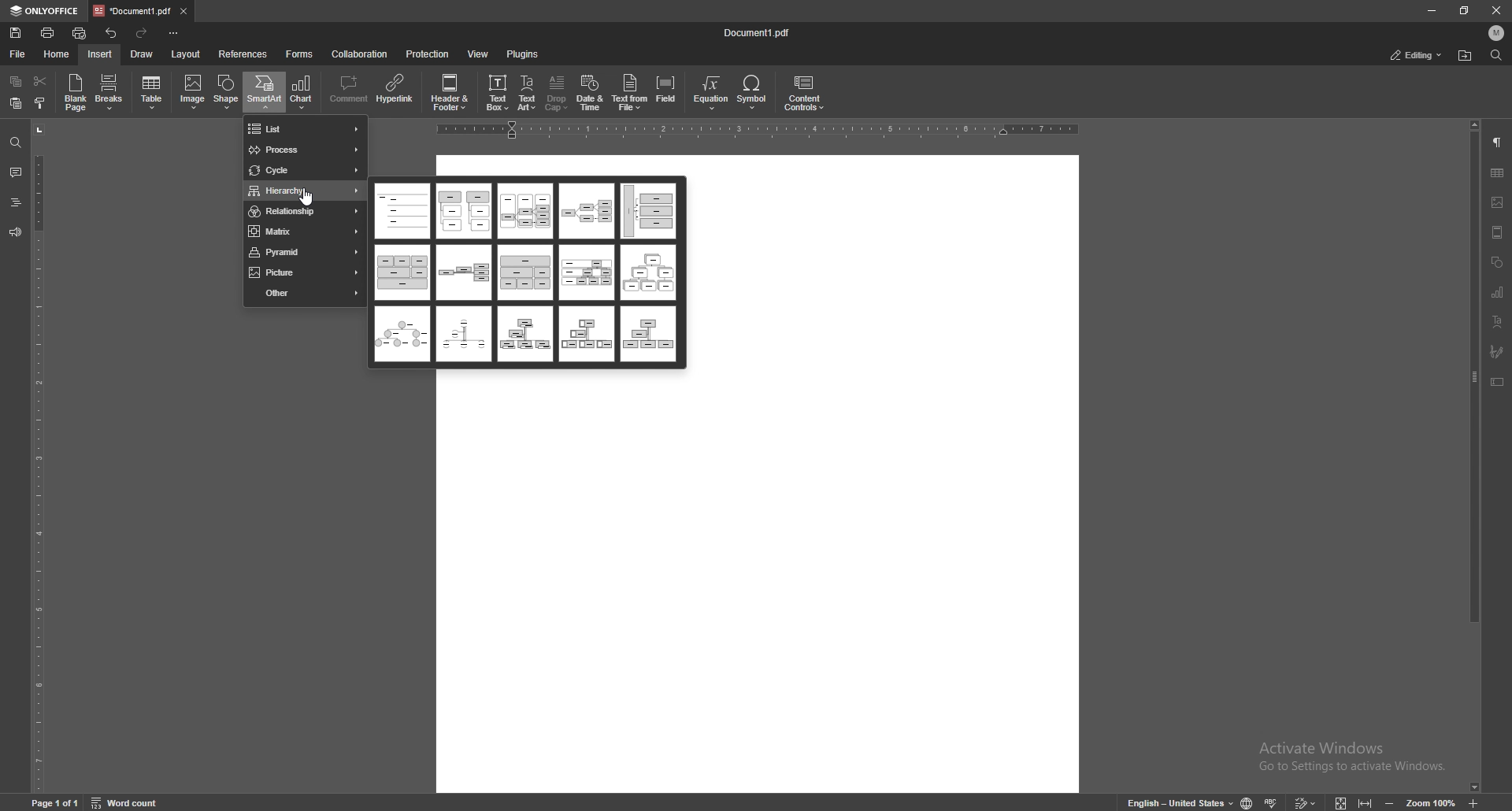 The height and width of the screenshot is (811, 1512). I want to click on tab, so click(132, 11).